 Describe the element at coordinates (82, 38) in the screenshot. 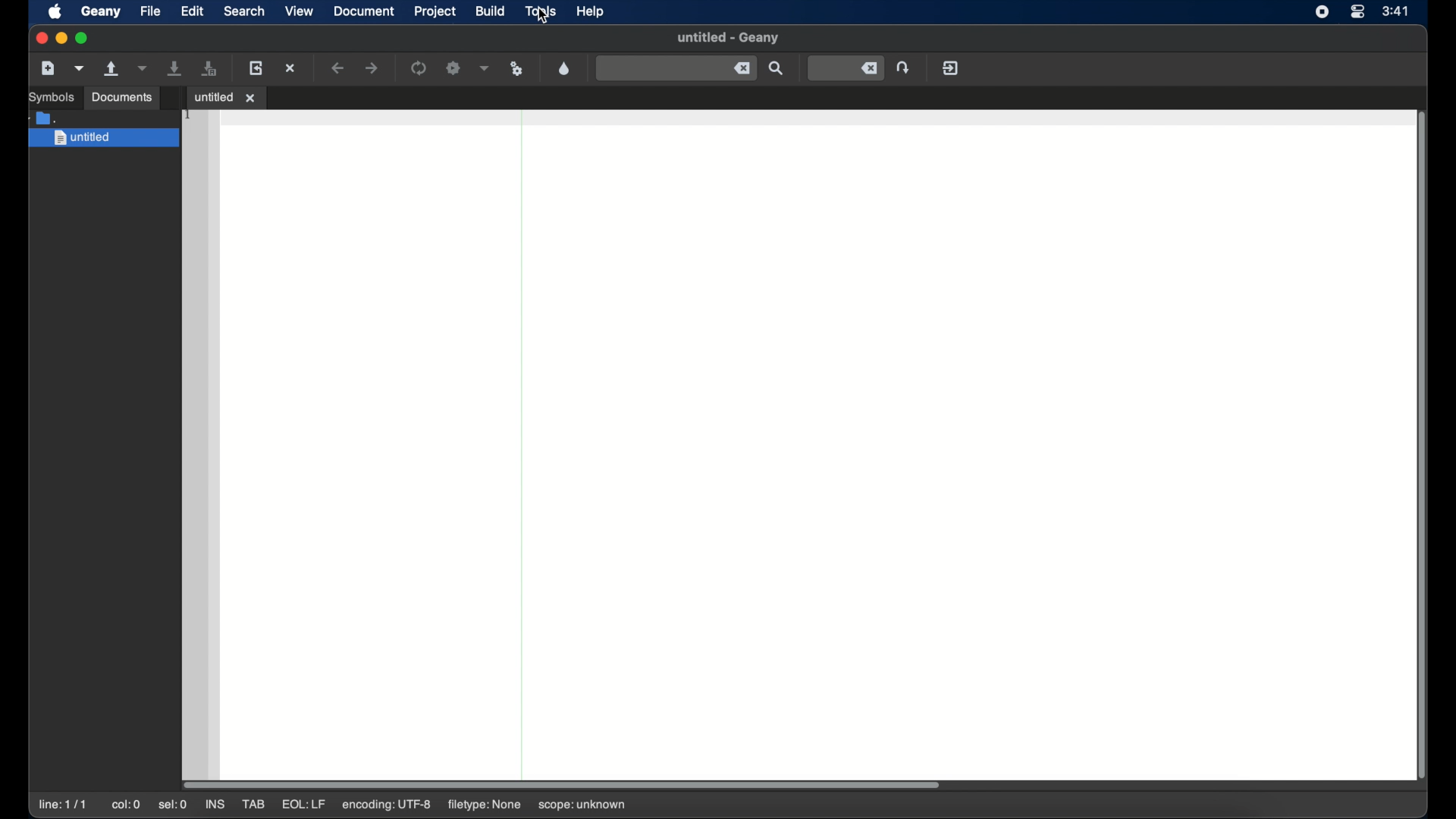

I see `maximize` at that location.